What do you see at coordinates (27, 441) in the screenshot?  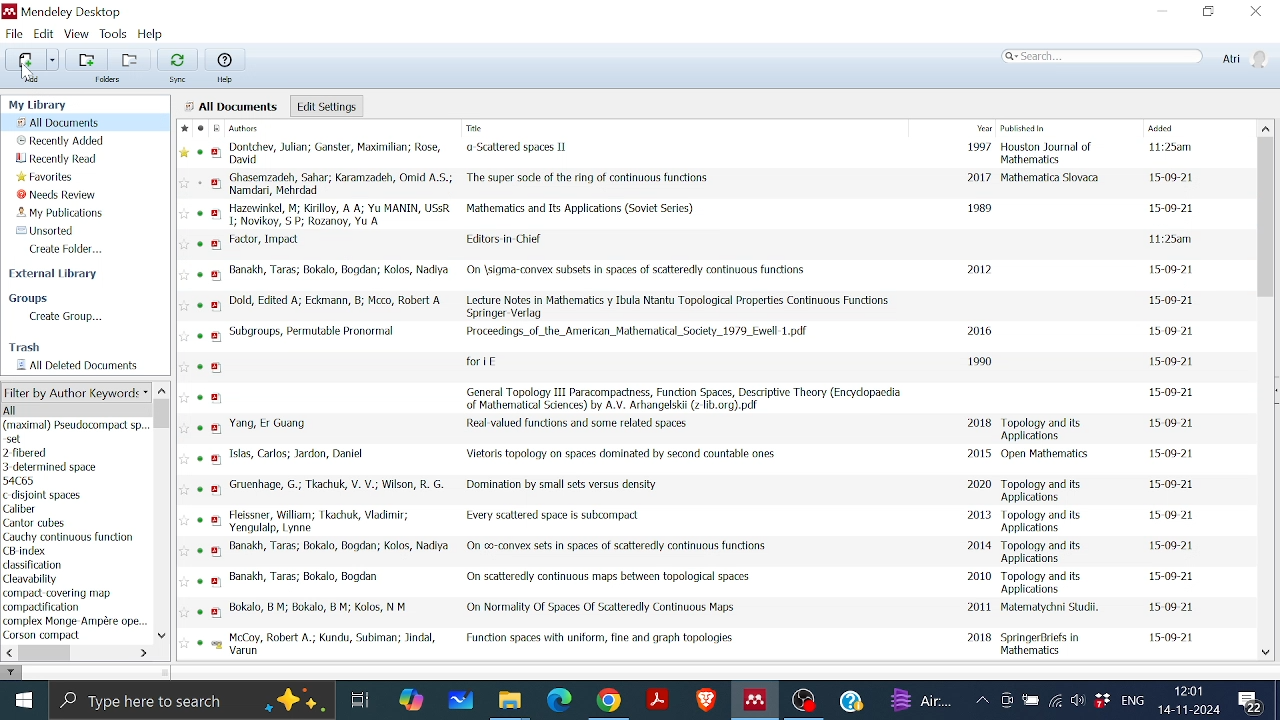 I see `author` at bounding box center [27, 441].